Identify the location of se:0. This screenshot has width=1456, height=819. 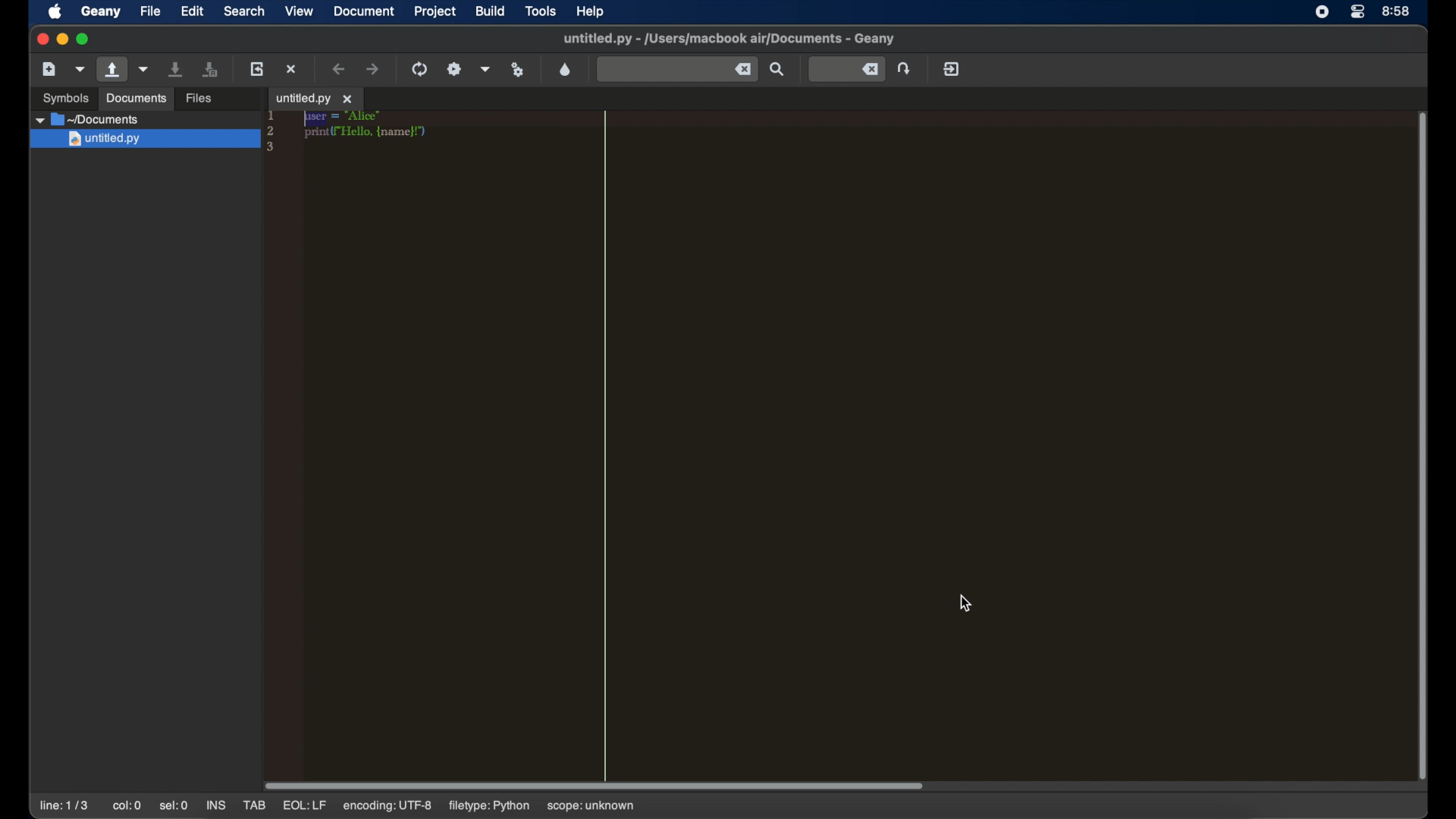
(174, 805).